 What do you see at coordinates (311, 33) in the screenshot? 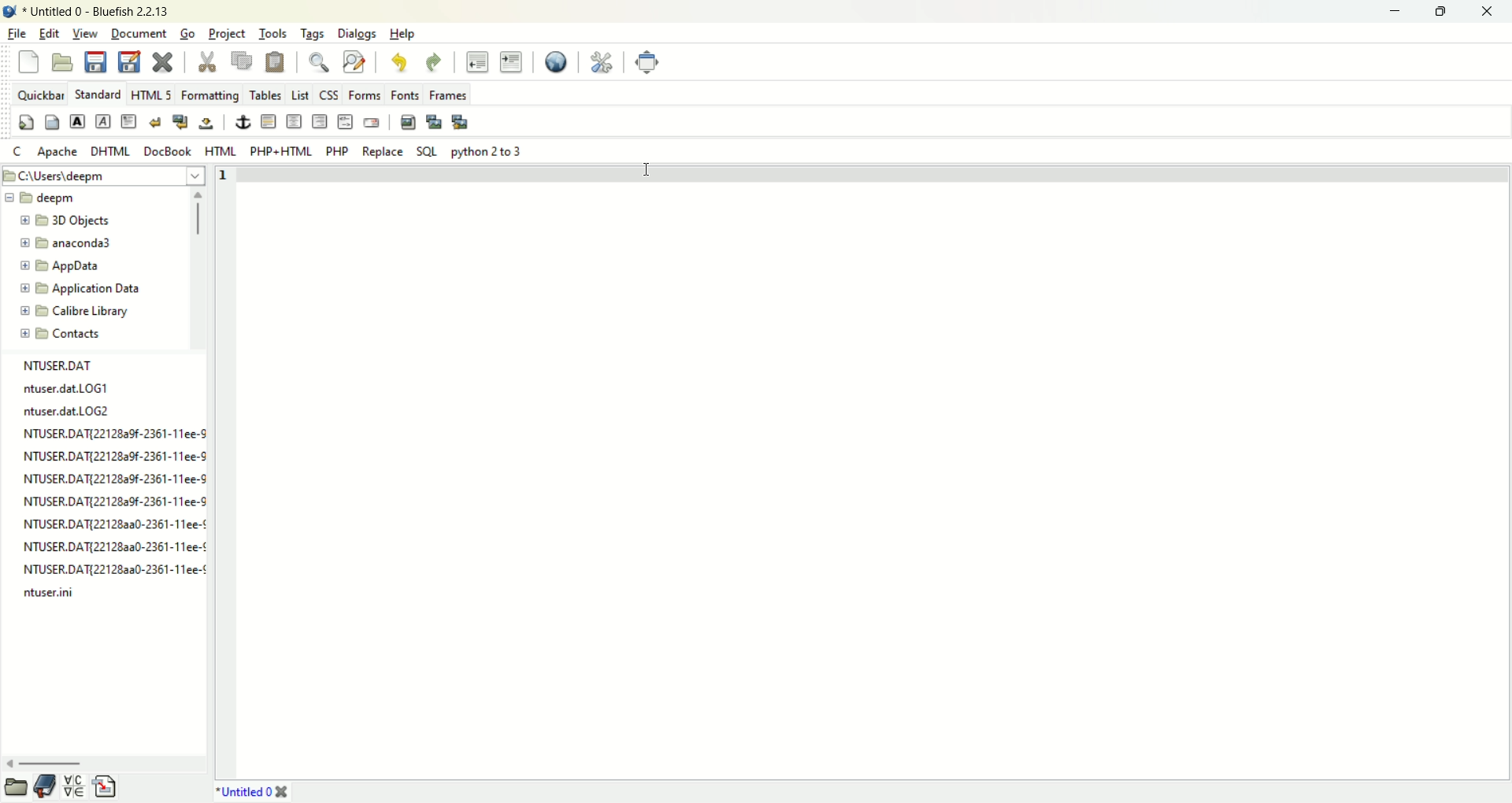
I see `tags` at bounding box center [311, 33].